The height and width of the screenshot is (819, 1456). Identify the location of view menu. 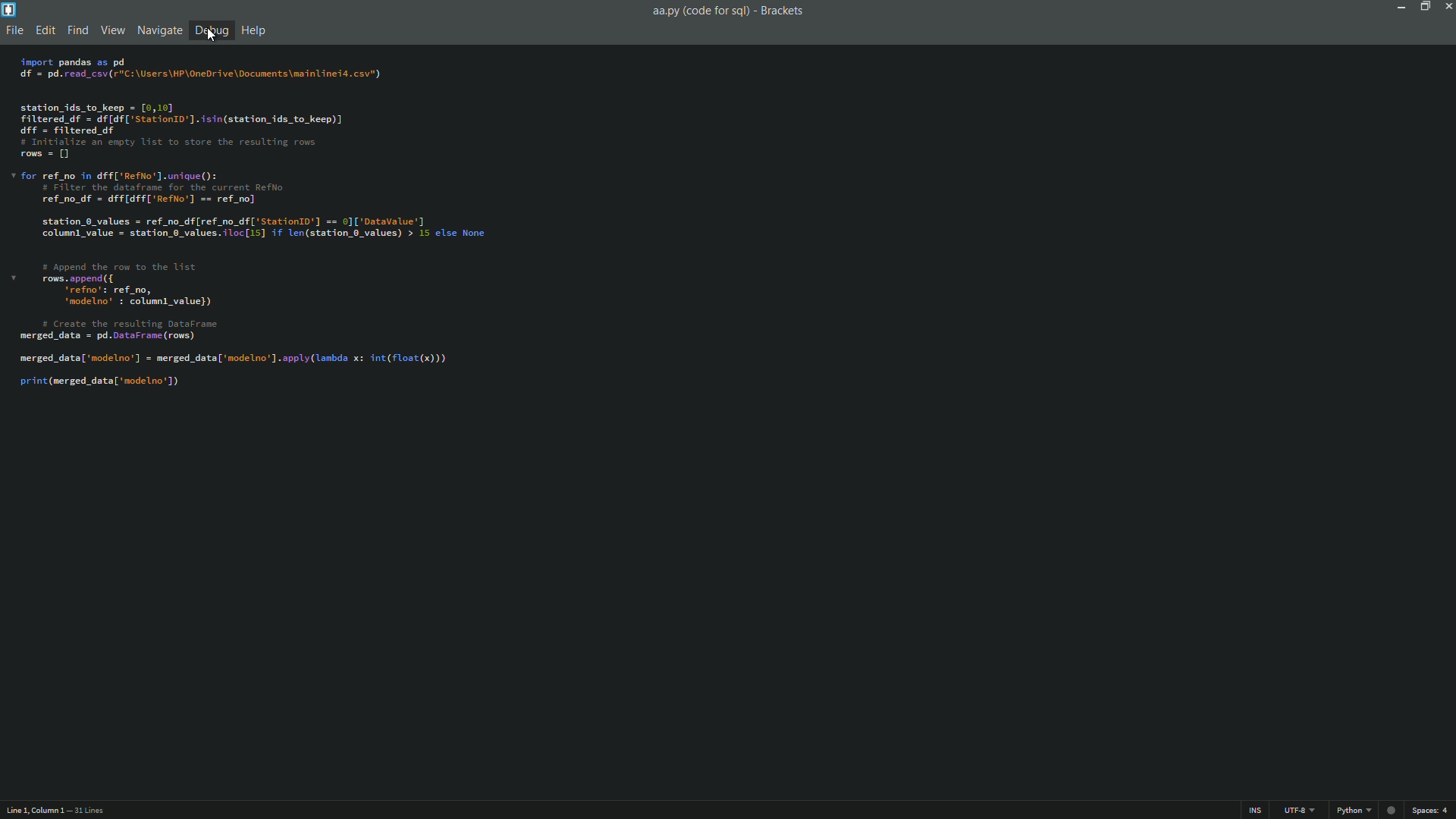
(113, 30).